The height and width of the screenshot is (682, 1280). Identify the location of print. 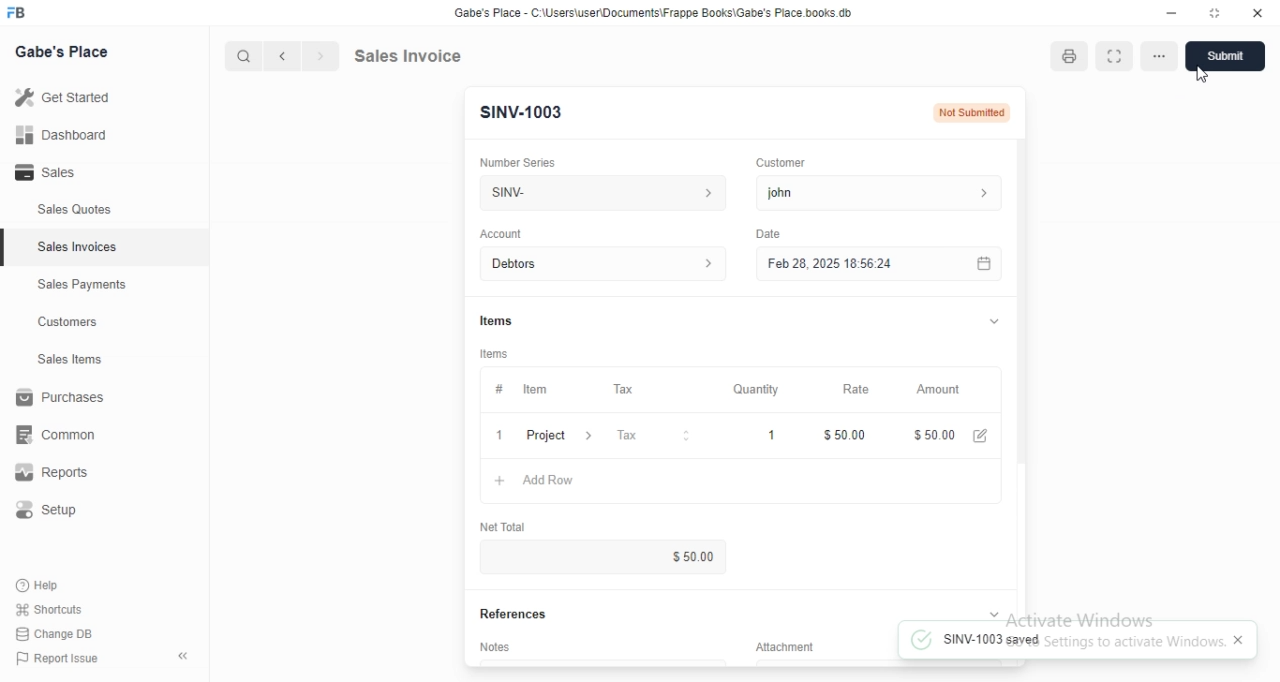
(1070, 56).